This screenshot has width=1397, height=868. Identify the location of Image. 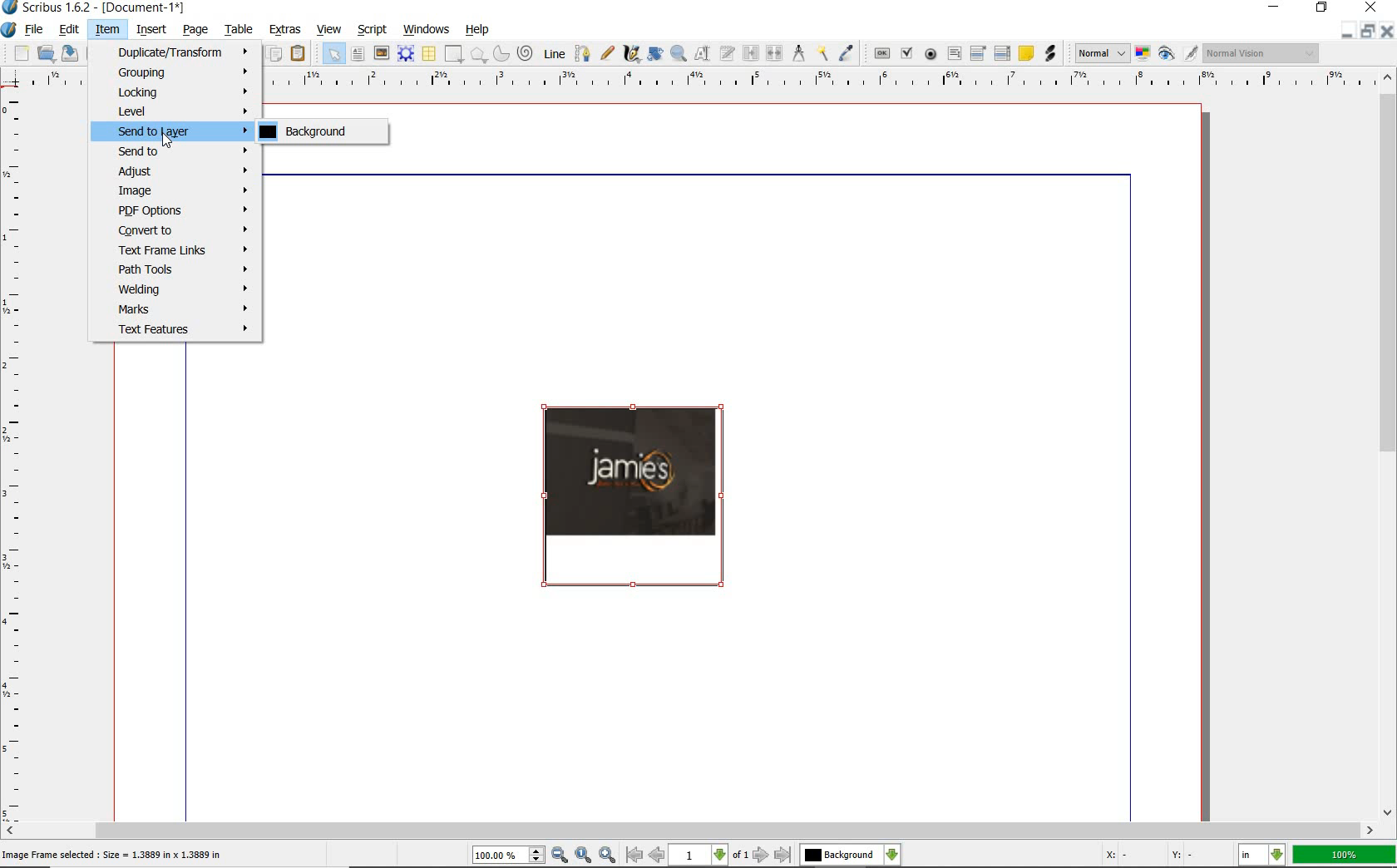
(635, 494).